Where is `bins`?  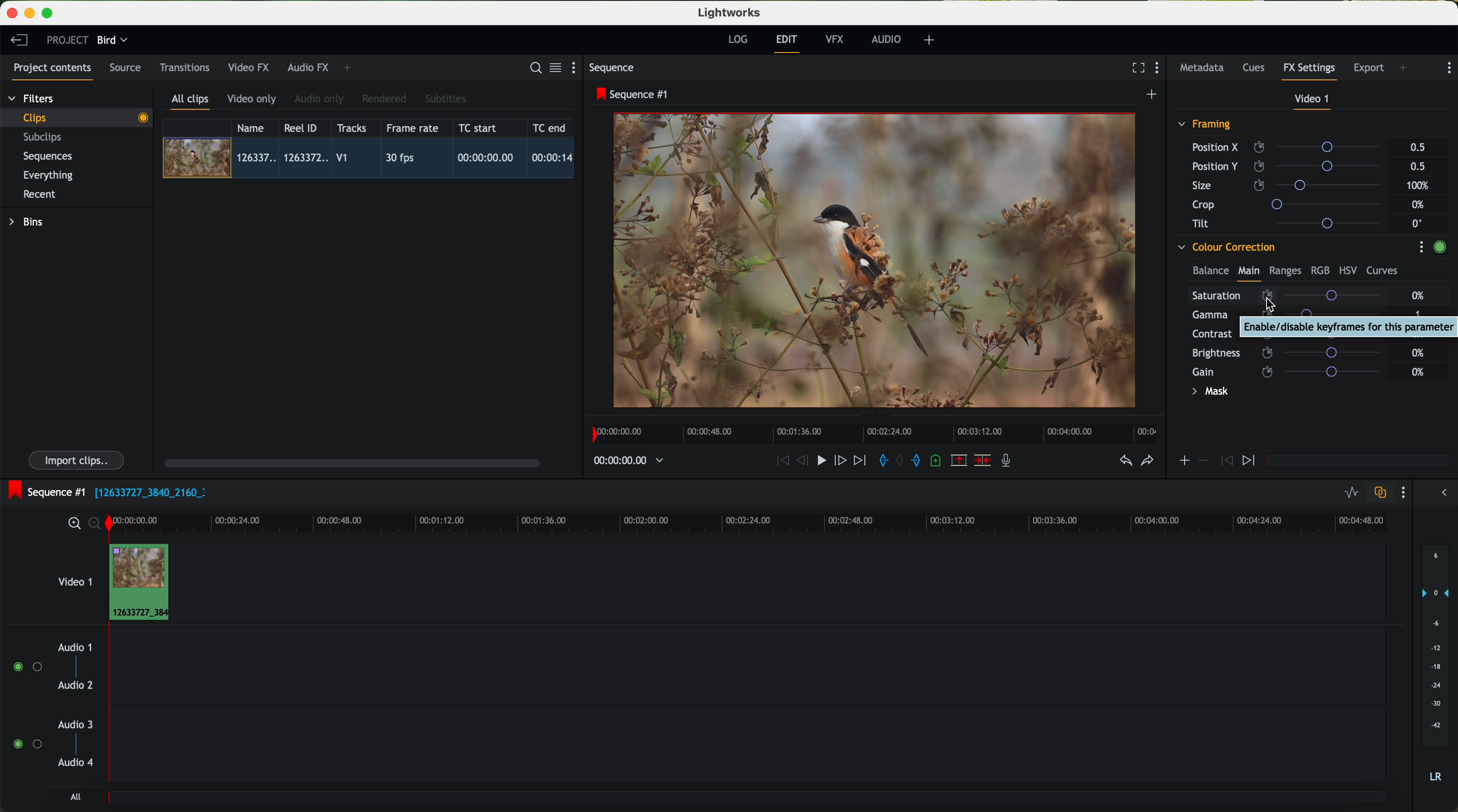 bins is located at coordinates (28, 222).